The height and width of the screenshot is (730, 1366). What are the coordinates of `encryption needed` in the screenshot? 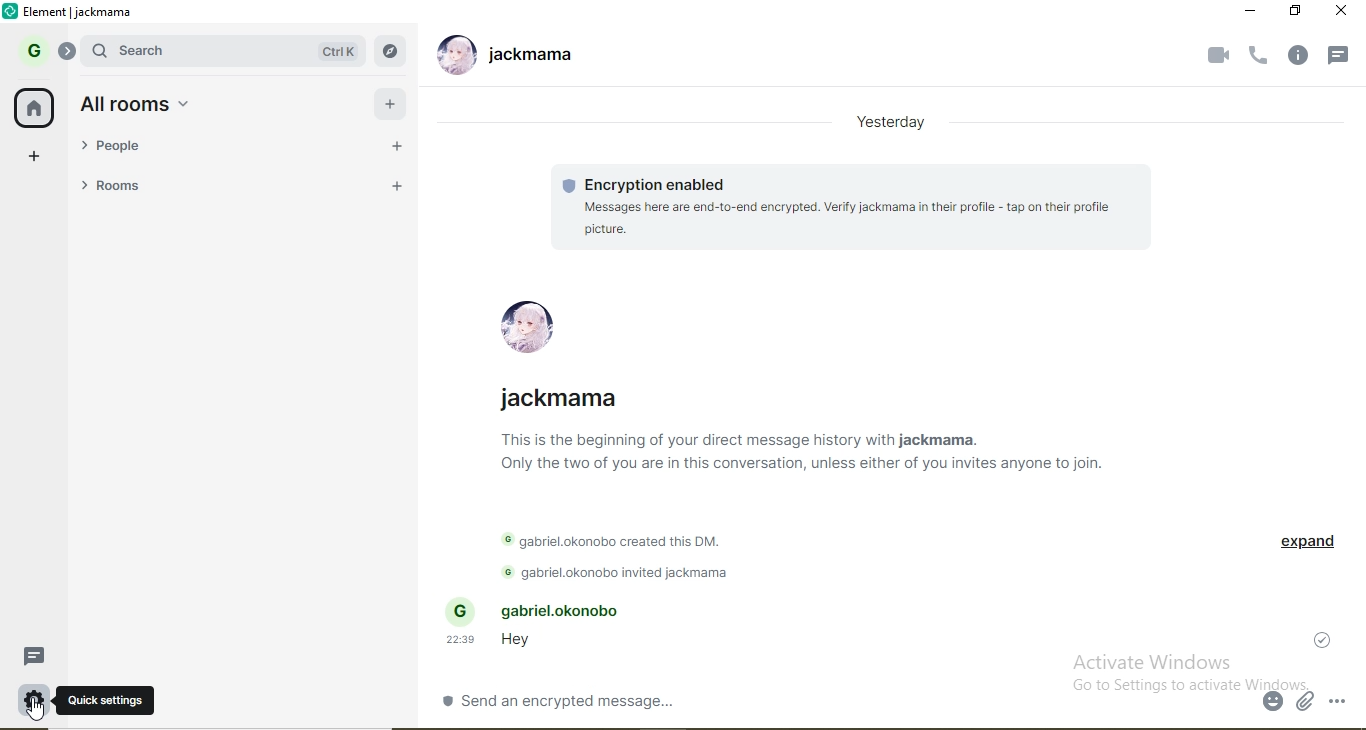 It's located at (647, 183).